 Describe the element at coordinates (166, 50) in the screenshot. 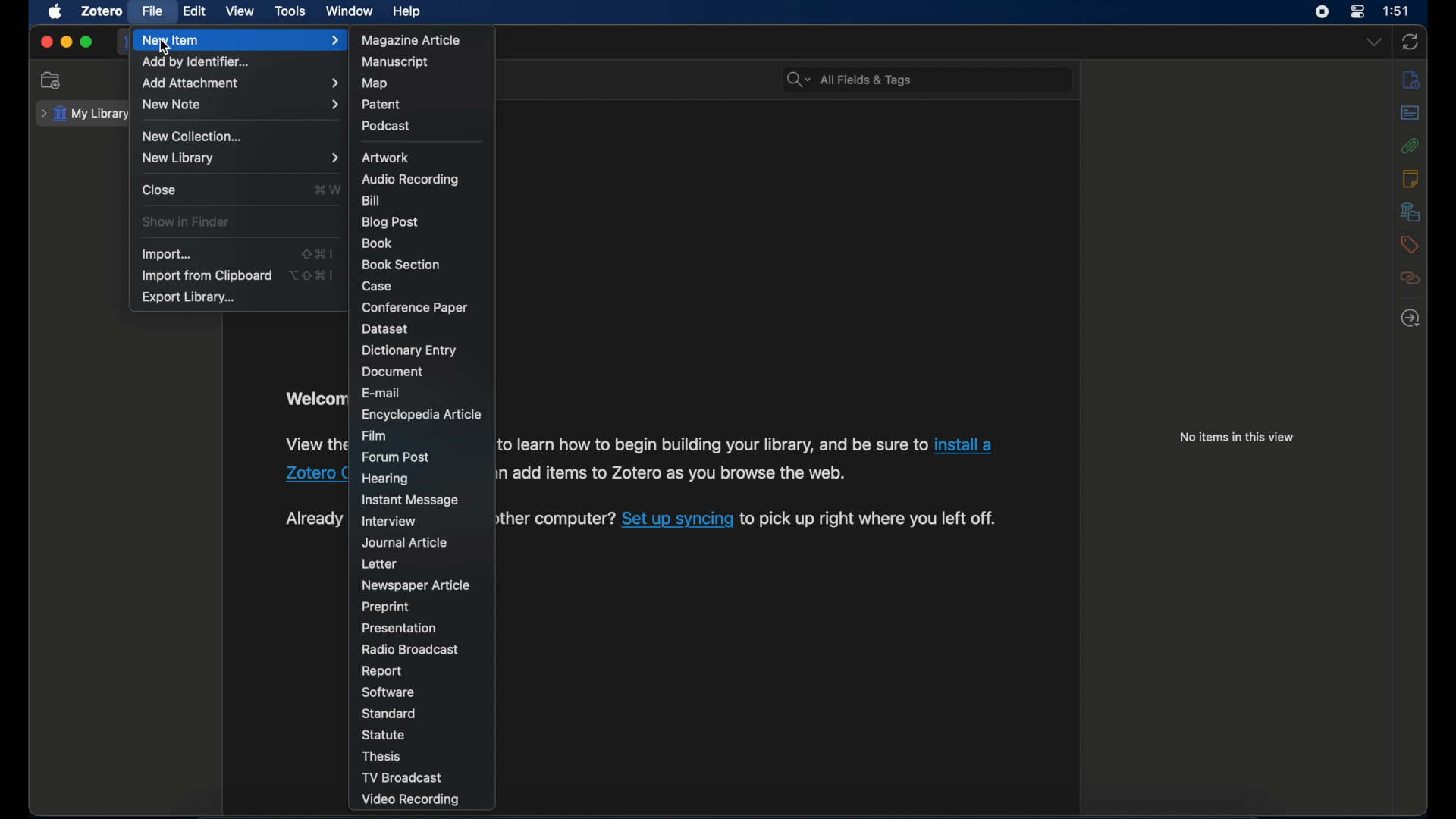

I see `cursor` at that location.